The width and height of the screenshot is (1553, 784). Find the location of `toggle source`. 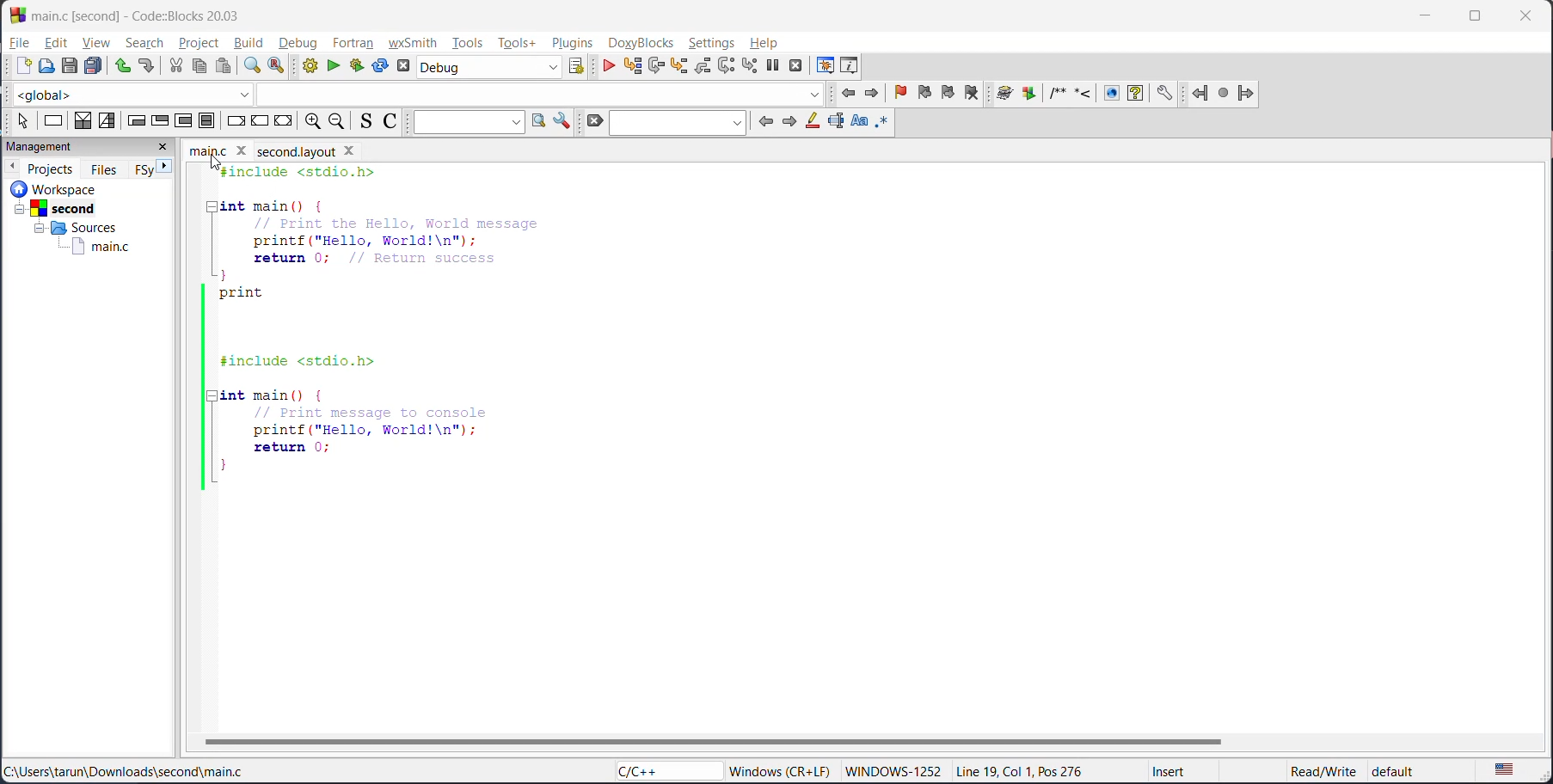

toggle source is located at coordinates (361, 121).